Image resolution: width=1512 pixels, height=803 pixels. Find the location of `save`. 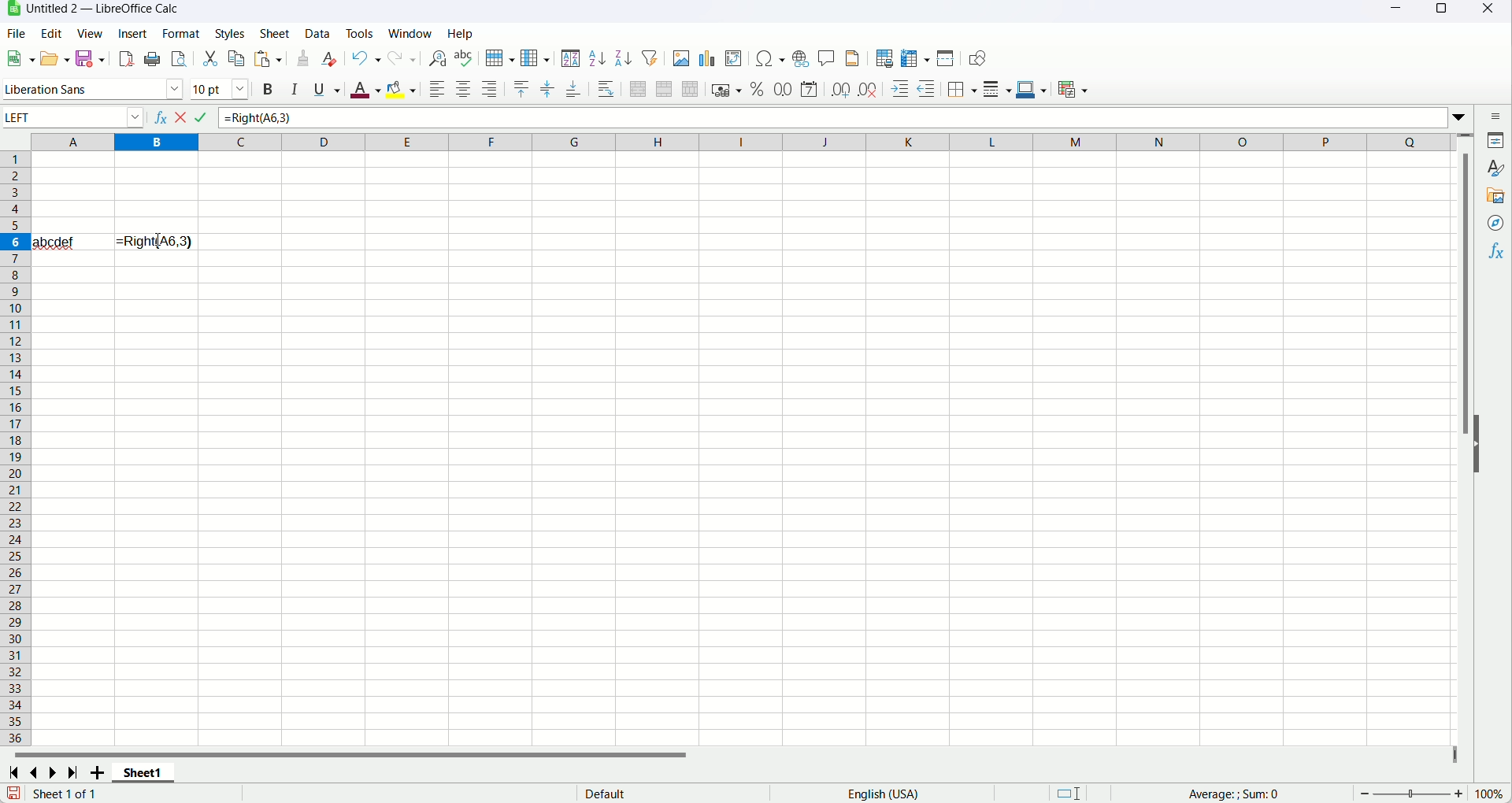

save is located at coordinates (89, 58).